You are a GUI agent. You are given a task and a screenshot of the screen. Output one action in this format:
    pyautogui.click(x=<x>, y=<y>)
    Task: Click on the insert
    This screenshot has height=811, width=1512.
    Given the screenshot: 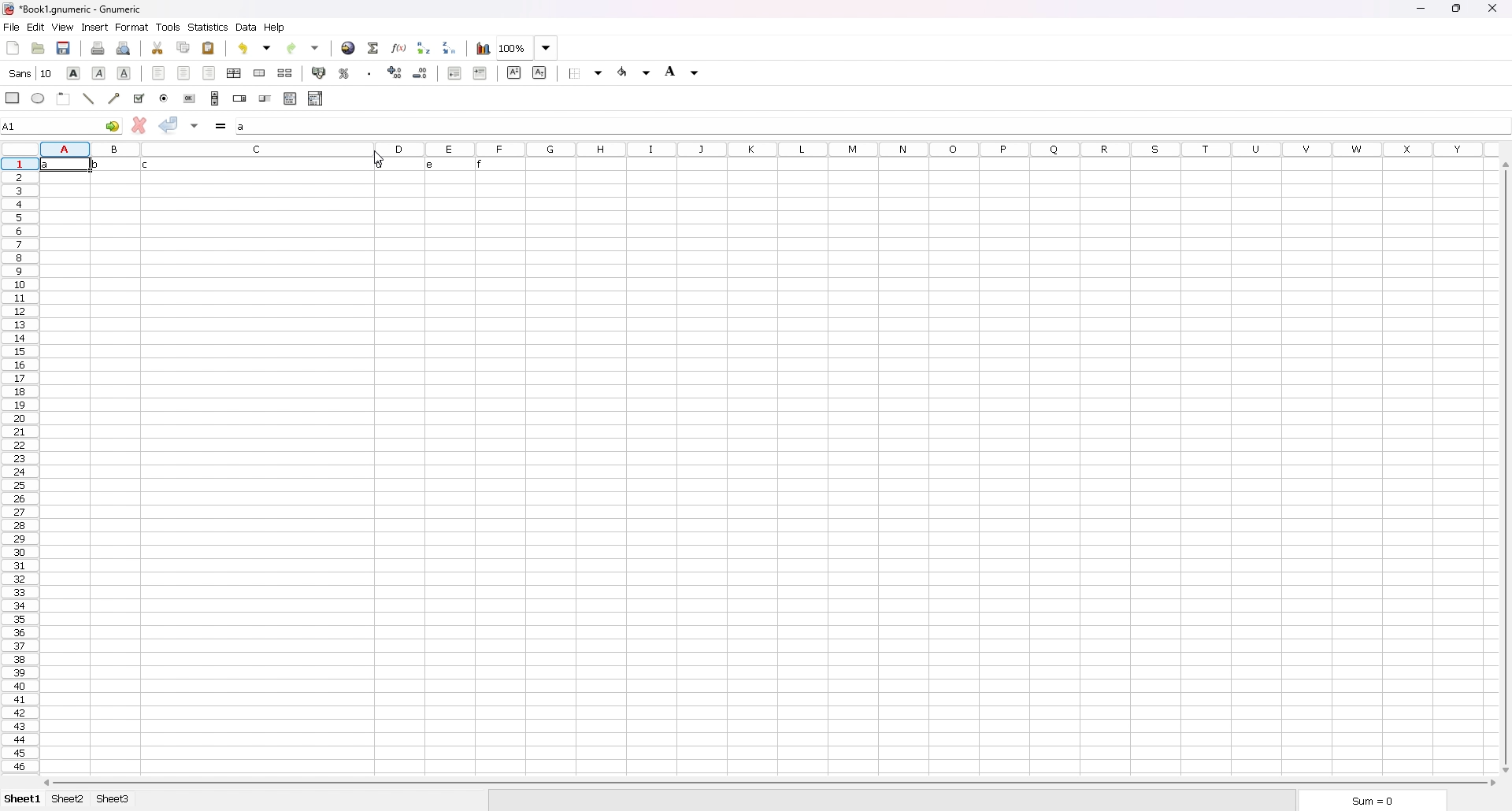 What is the action you would take?
    pyautogui.click(x=94, y=27)
    